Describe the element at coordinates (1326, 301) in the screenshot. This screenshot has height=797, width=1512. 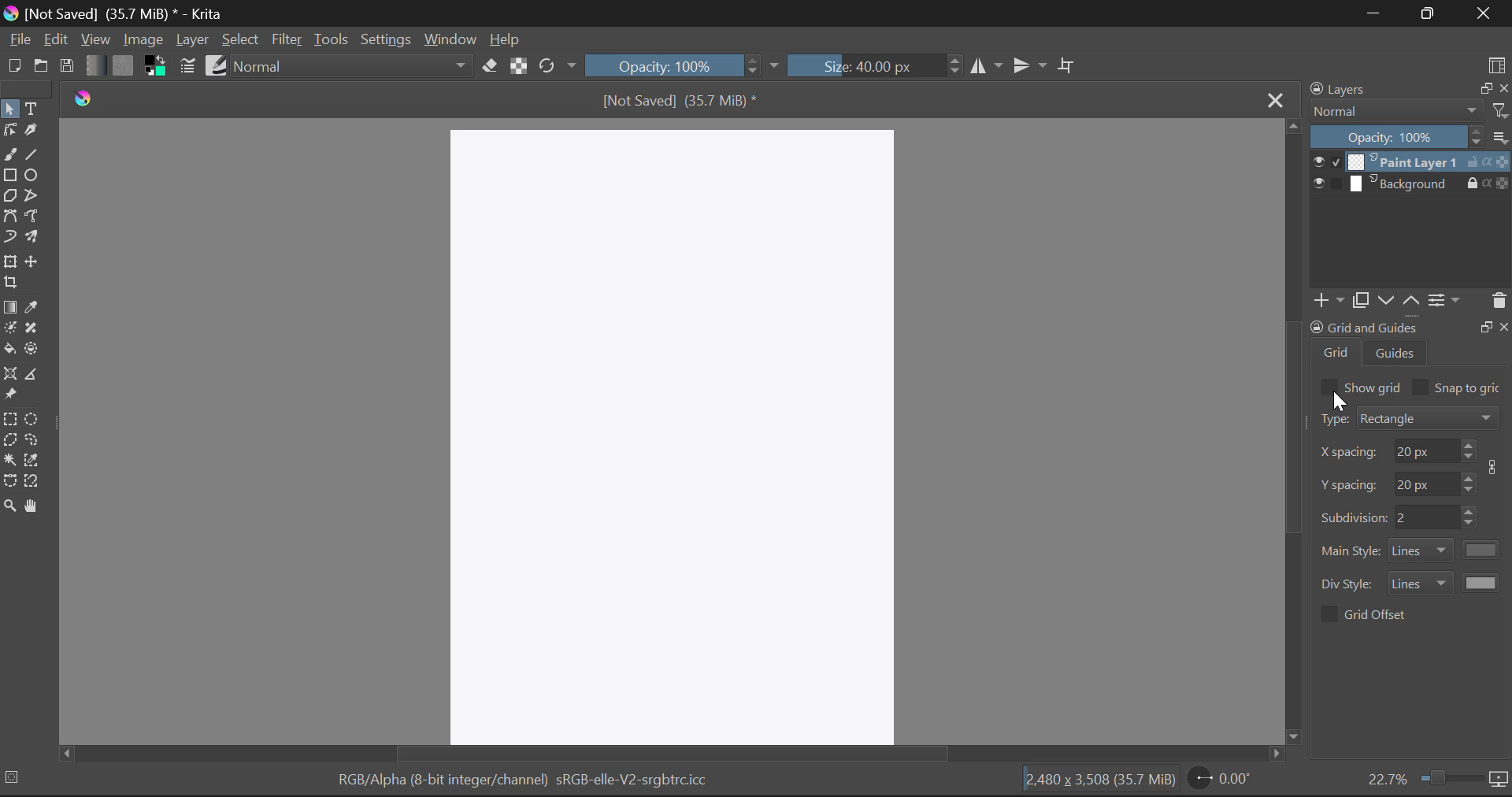
I see `add` at that location.